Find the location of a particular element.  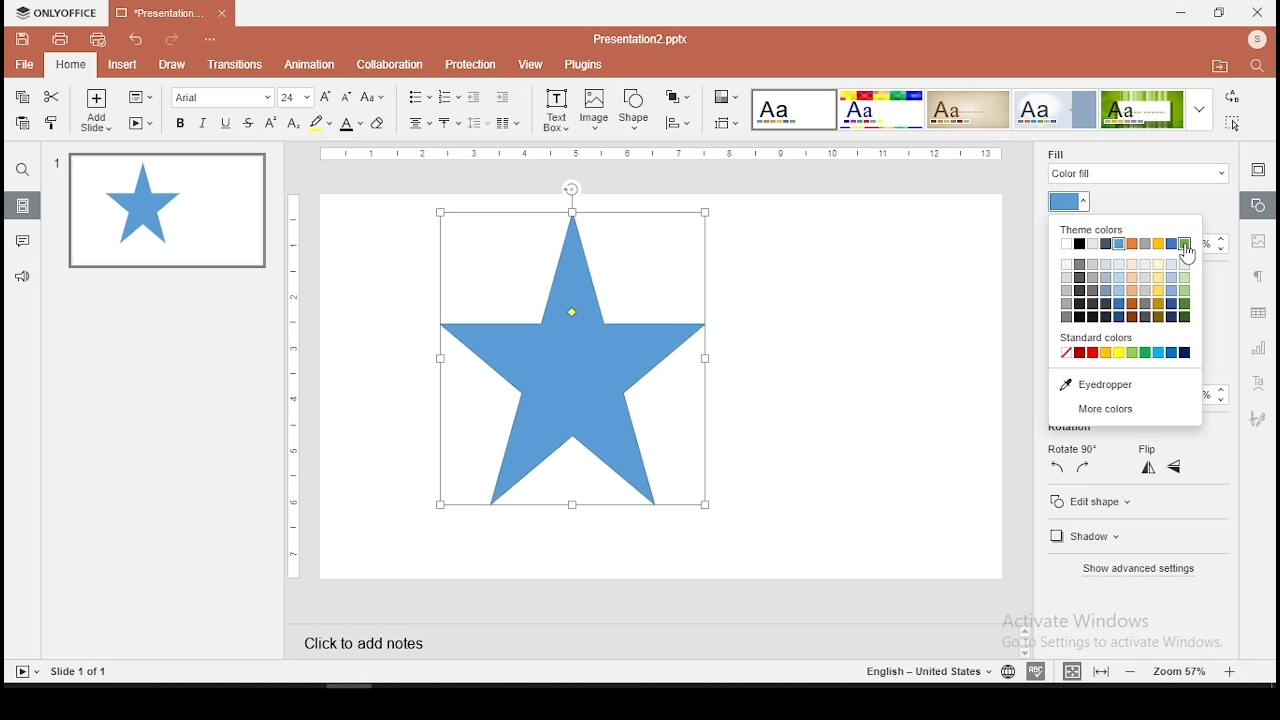

zoom level is located at coordinates (1182, 670).